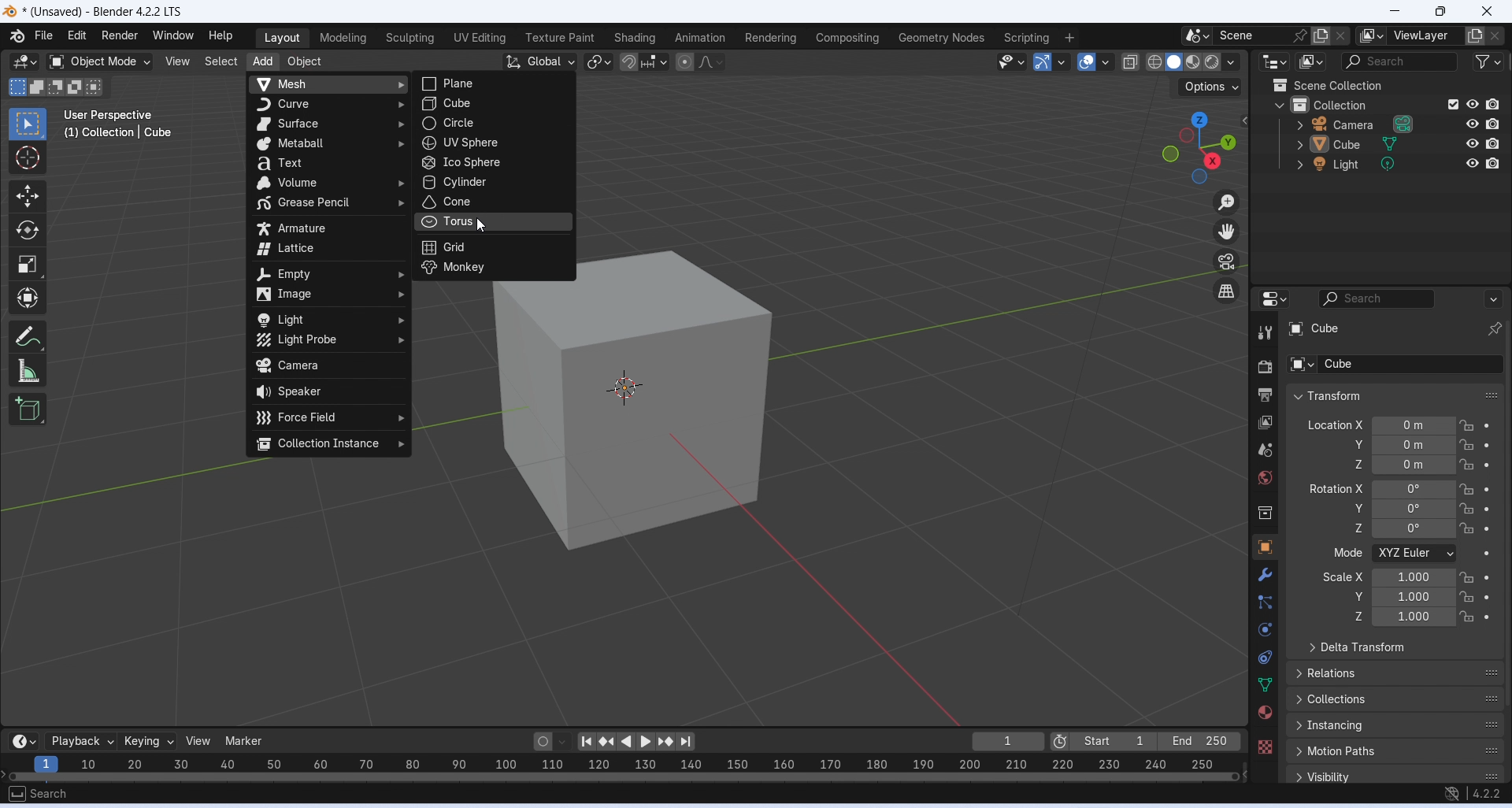 The width and height of the screenshot is (1512, 808). I want to click on Scale  Y, so click(1358, 596).